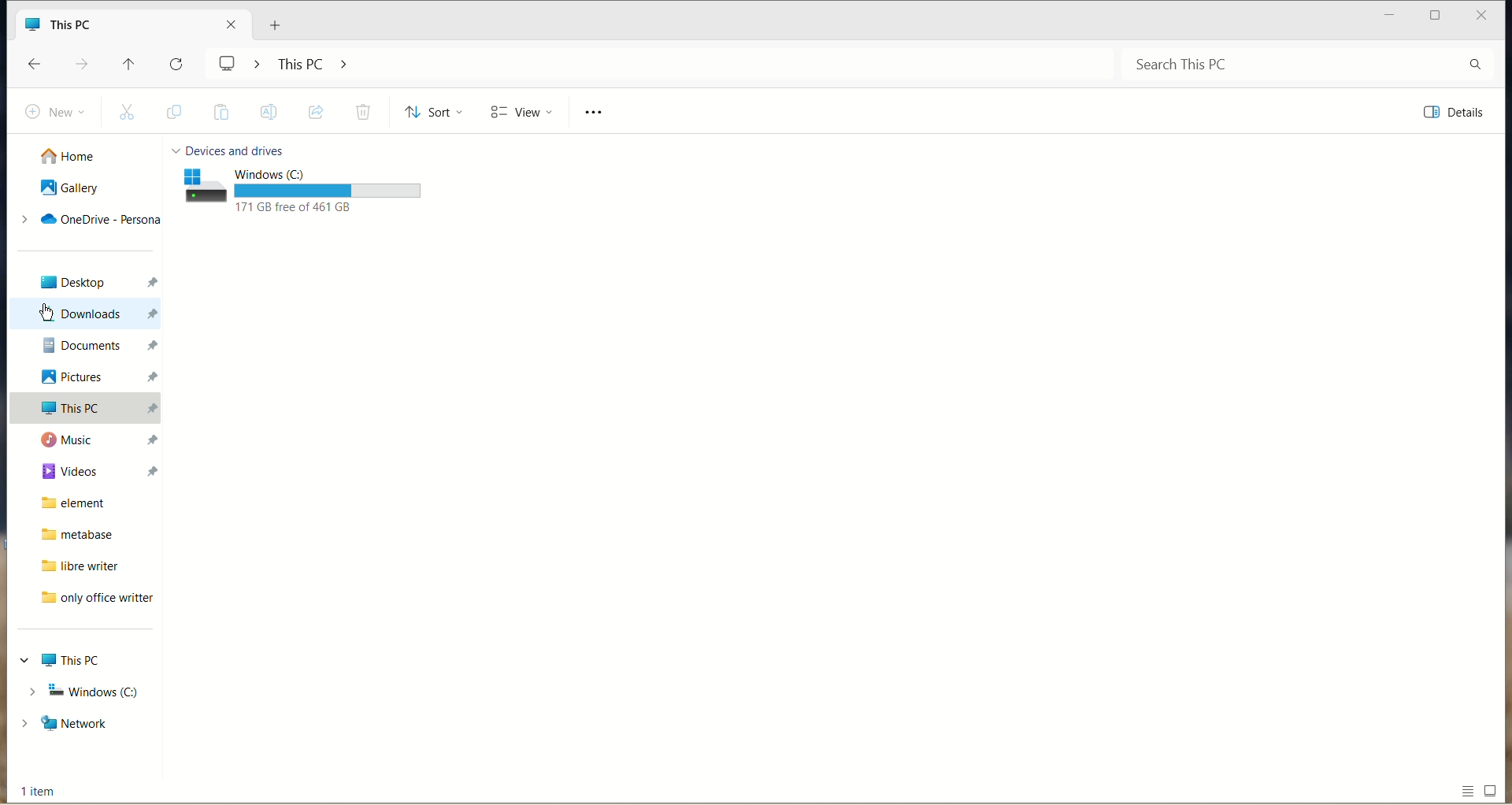 The image size is (1512, 805). What do you see at coordinates (175, 113) in the screenshot?
I see `copy` at bounding box center [175, 113].